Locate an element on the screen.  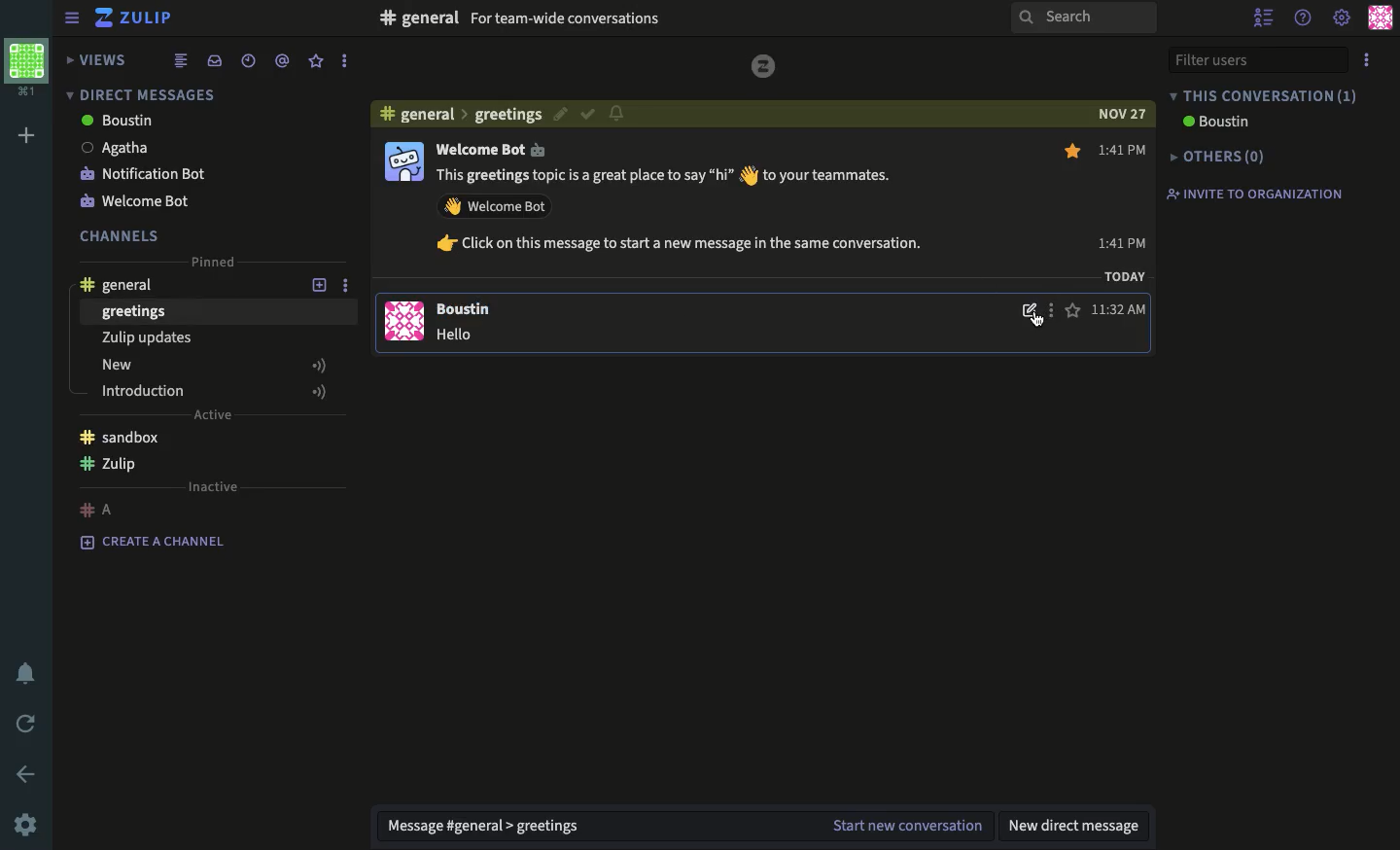
sidebar is located at coordinates (68, 18).